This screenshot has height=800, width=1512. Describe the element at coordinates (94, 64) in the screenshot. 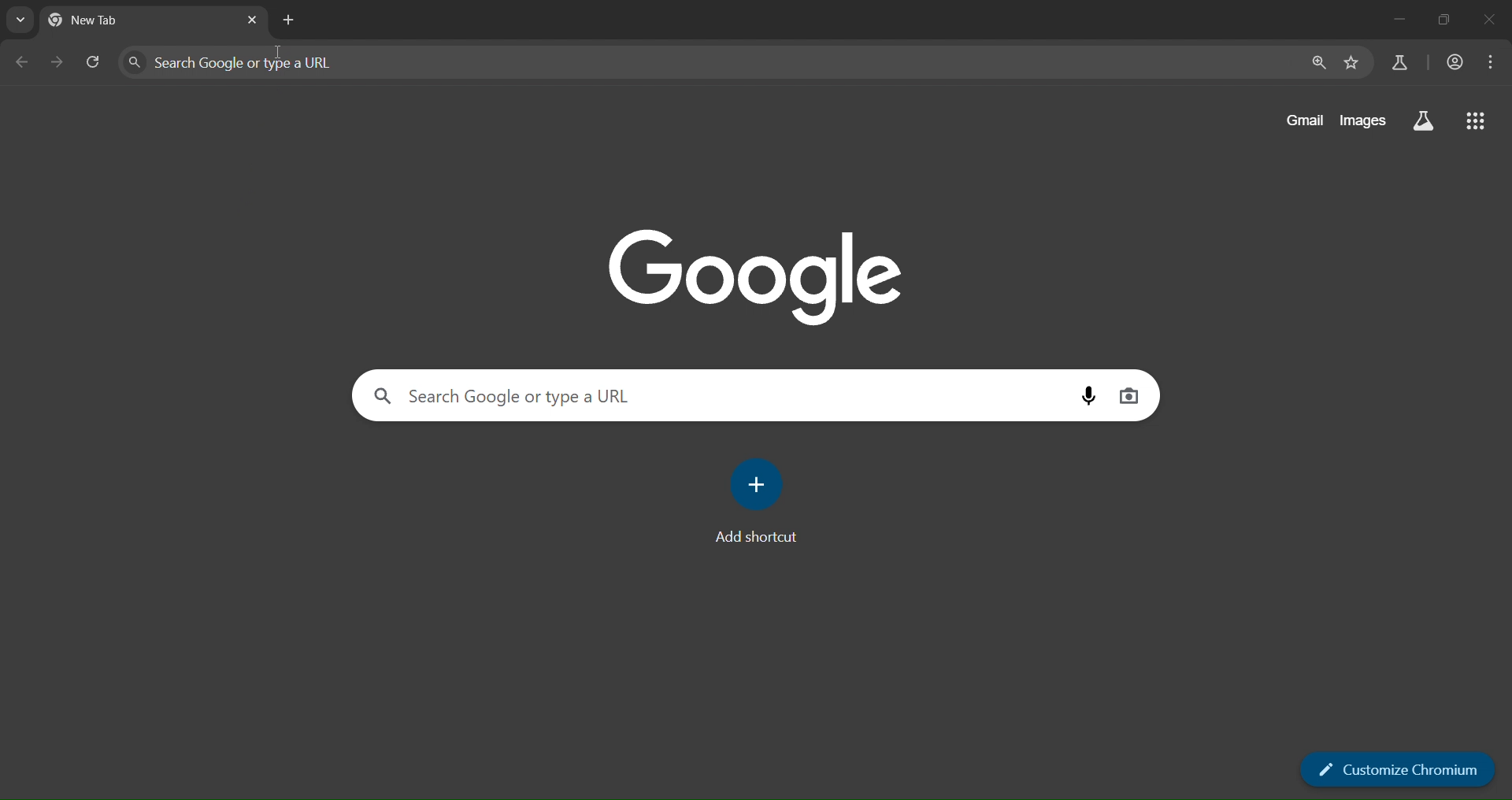

I see `reload page` at that location.